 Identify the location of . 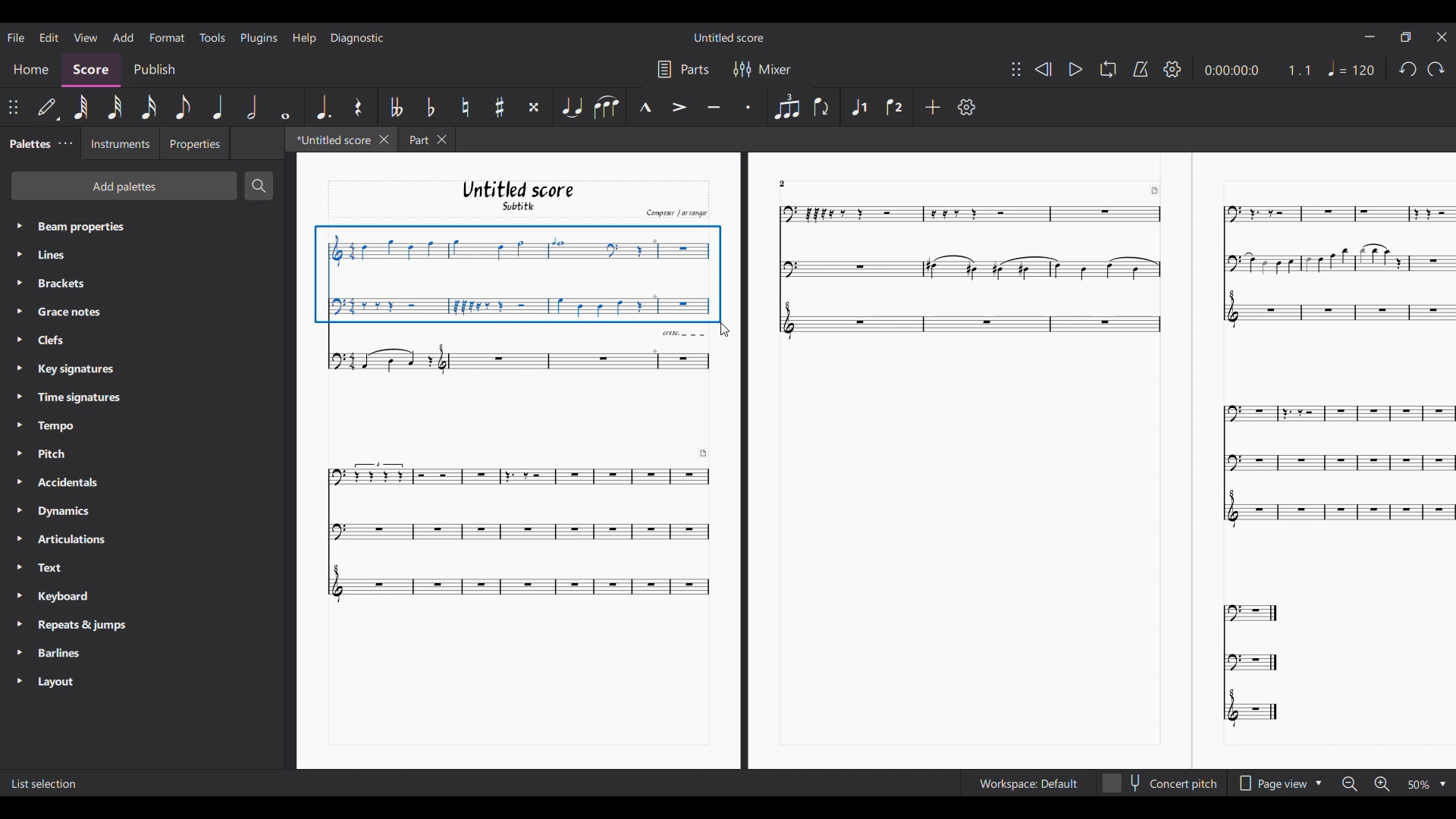
(664, 67).